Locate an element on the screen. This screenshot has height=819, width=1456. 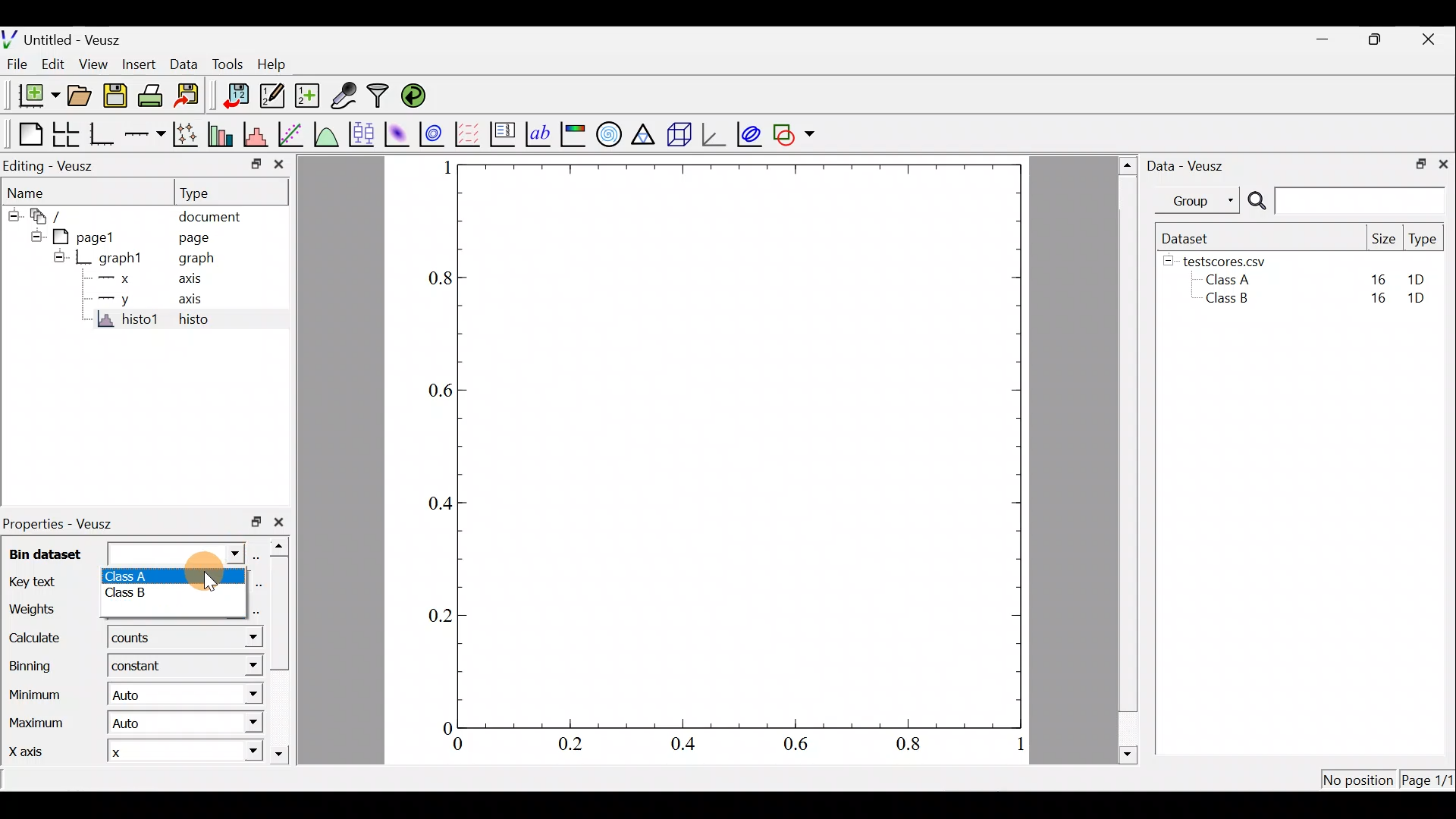
Minimum is located at coordinates (37, 694).